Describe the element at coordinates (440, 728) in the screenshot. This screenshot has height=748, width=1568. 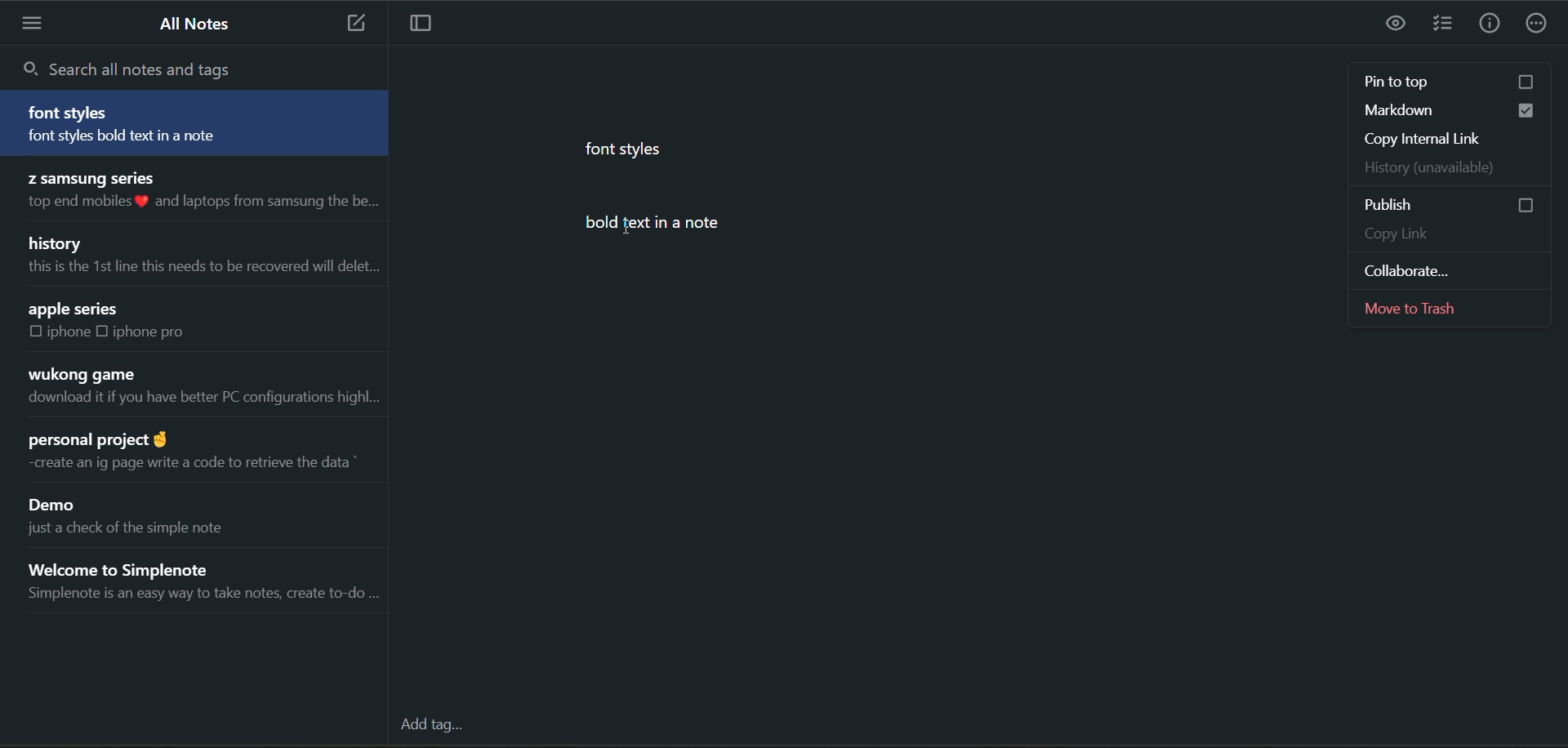
I see `add tag` at that location.